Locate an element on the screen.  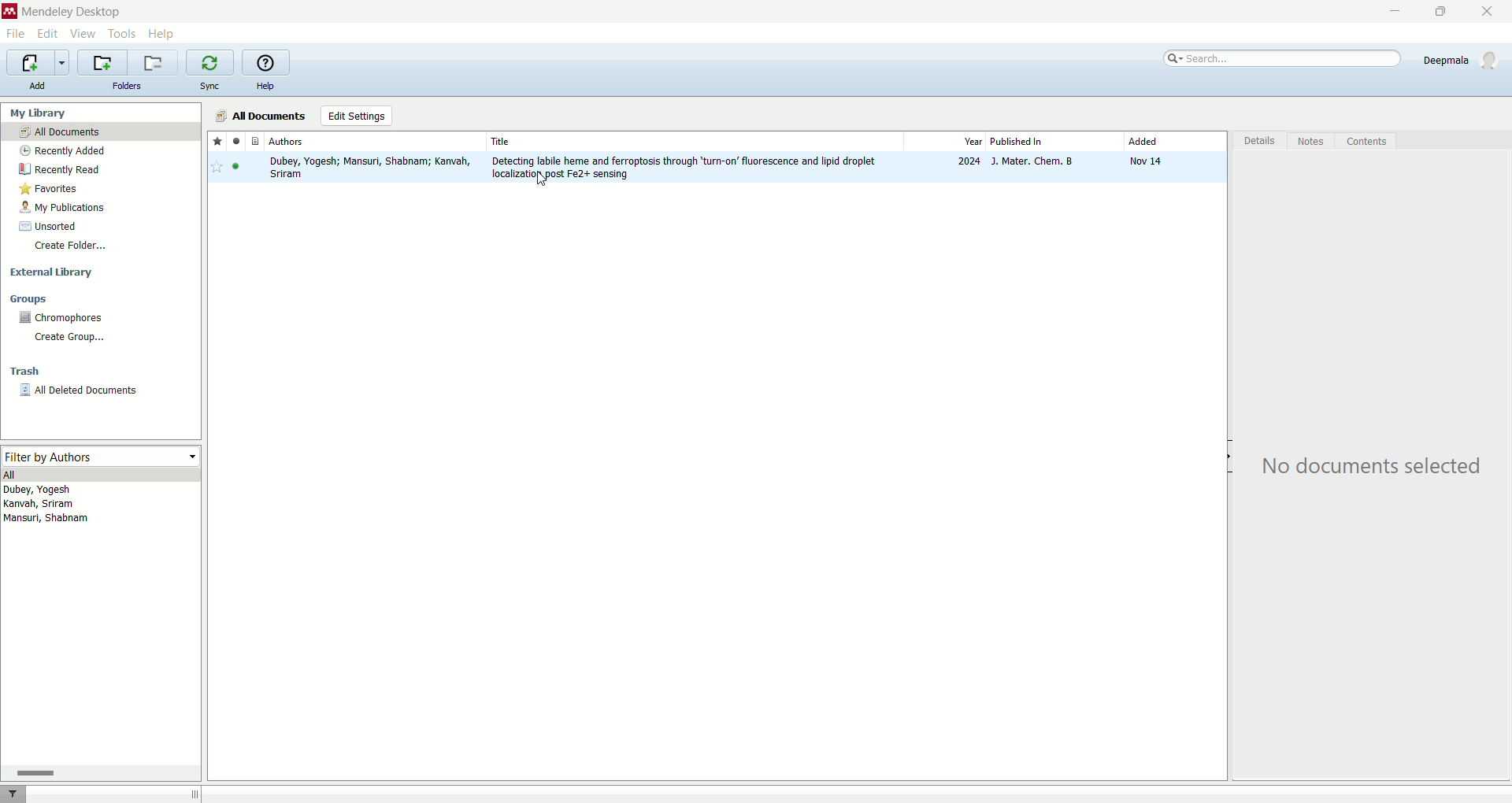
tools is located at coordinates (122, 33).